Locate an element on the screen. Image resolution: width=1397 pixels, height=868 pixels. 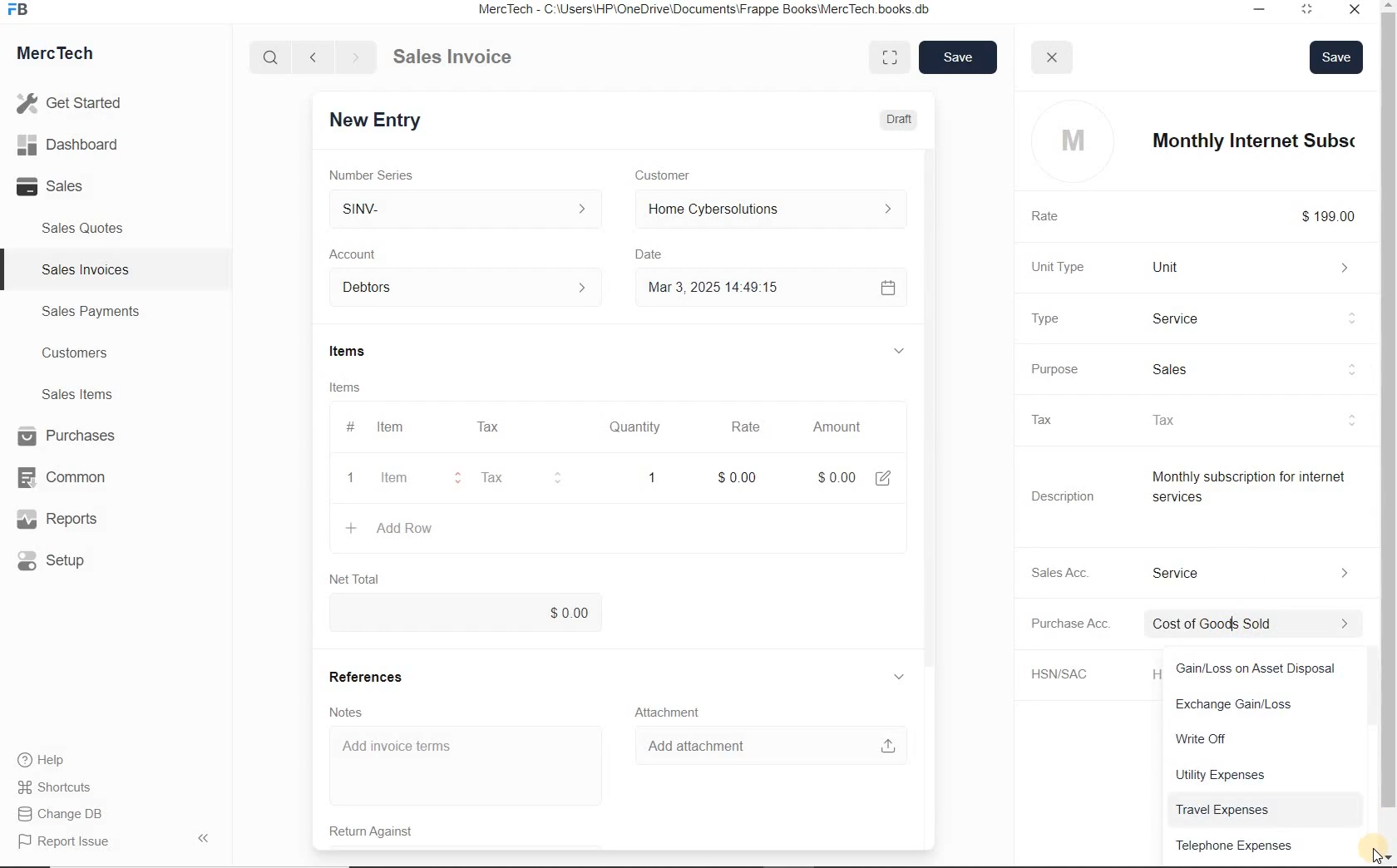
+ Add Row is located at coordinates (417, 529).